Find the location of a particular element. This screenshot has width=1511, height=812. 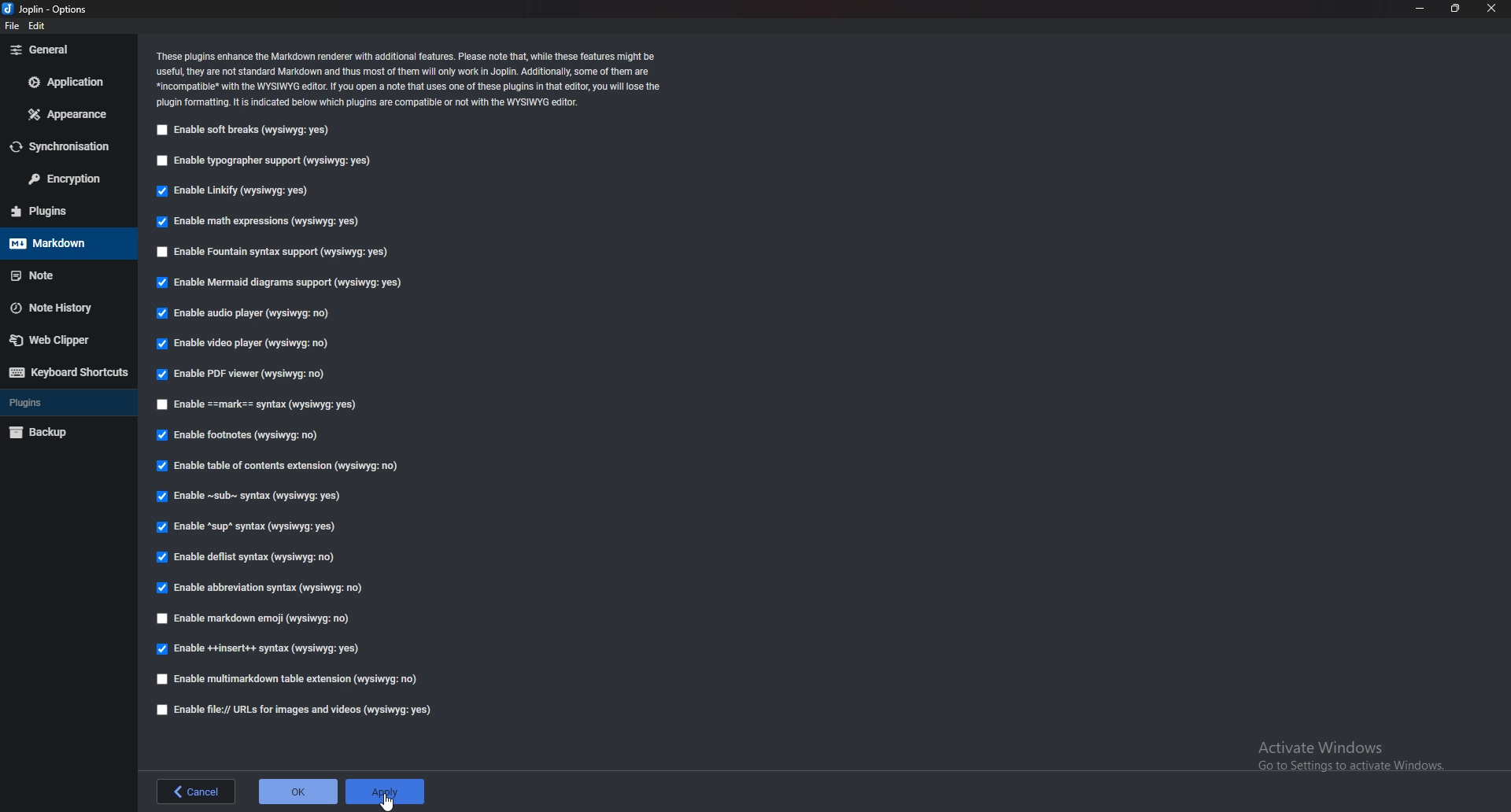

Enable mermaid diagrams is located at coordinates (286, 283).